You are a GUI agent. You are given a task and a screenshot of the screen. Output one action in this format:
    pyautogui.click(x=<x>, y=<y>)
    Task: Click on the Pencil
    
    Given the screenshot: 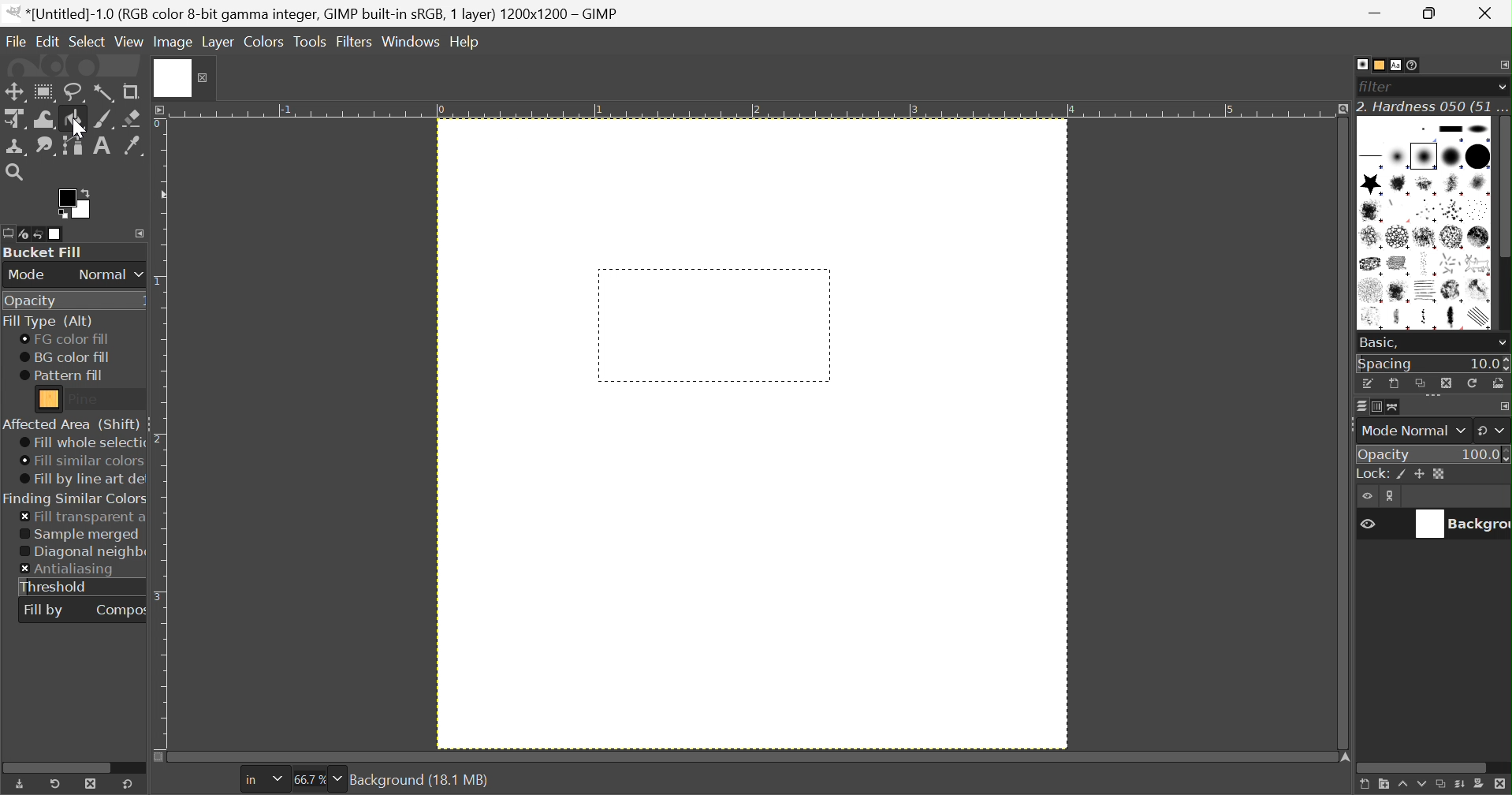 What is the action you would take?
    pyautogui.click(x=1400, y=319)
    